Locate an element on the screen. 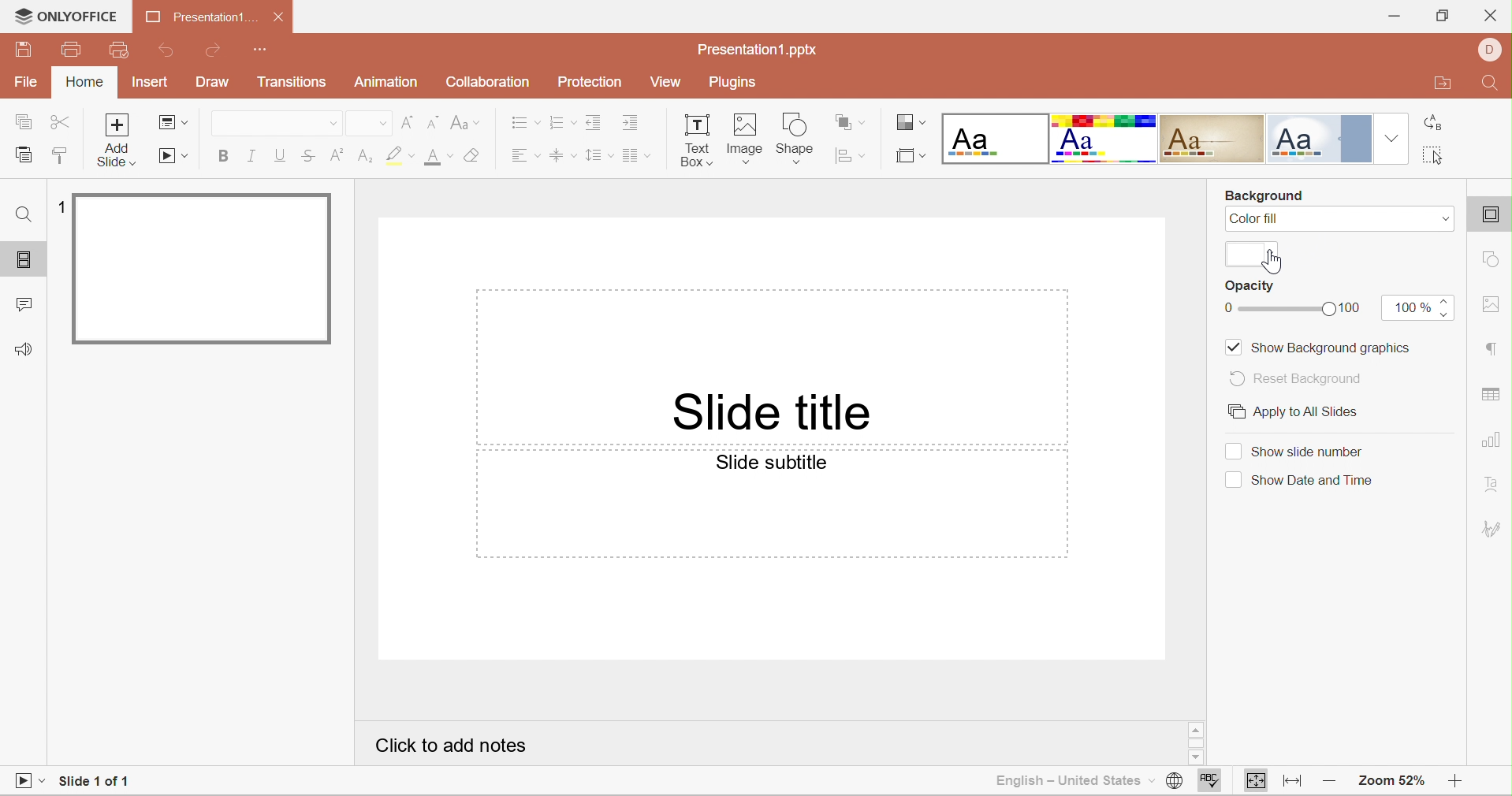 The image size is (1512, 796). Image is located at coordinates (744, 136).